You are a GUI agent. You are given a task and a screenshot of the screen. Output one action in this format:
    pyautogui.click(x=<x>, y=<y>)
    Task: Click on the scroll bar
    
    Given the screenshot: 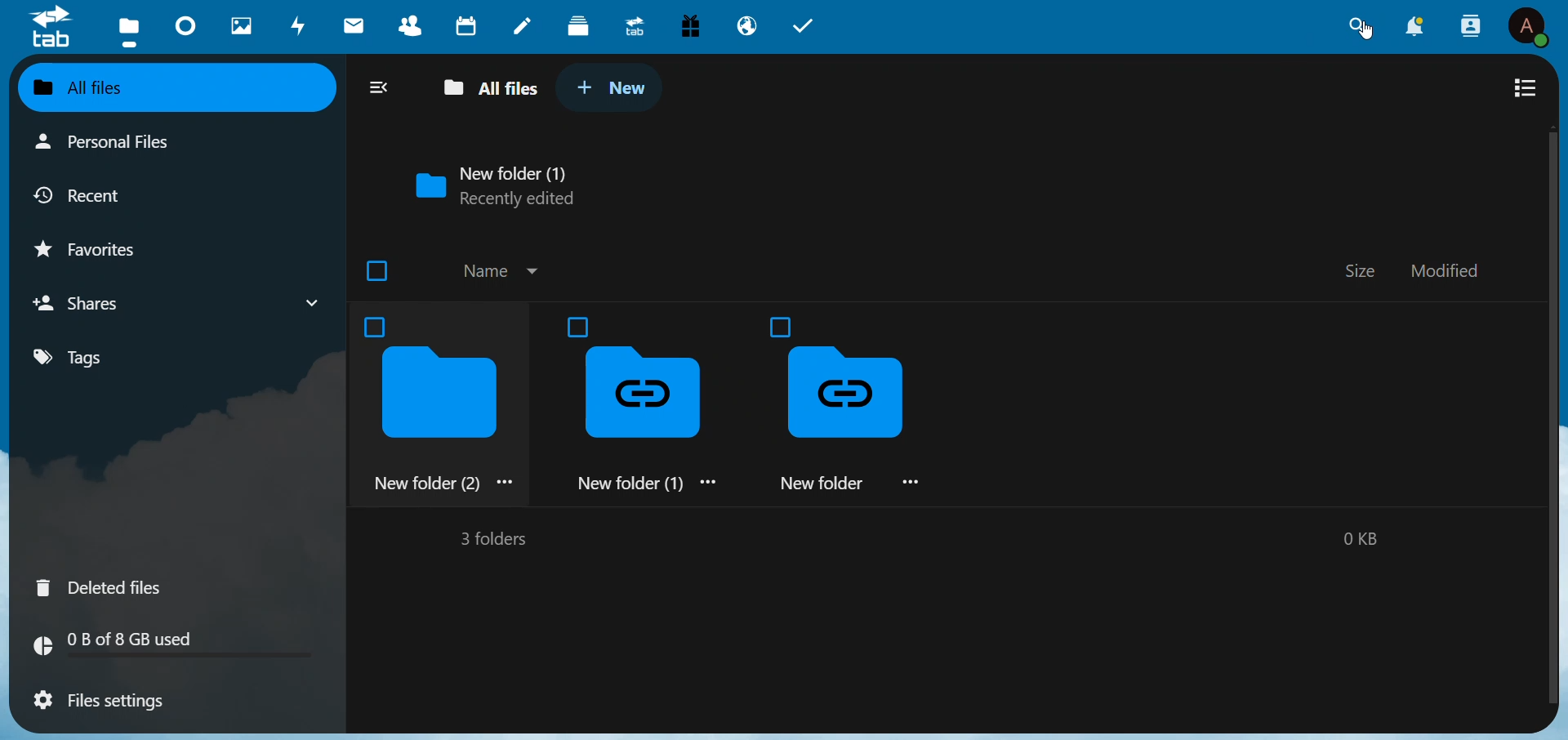 What is the action you would take?
    pyautogui.click(x=1550, y=413)
    